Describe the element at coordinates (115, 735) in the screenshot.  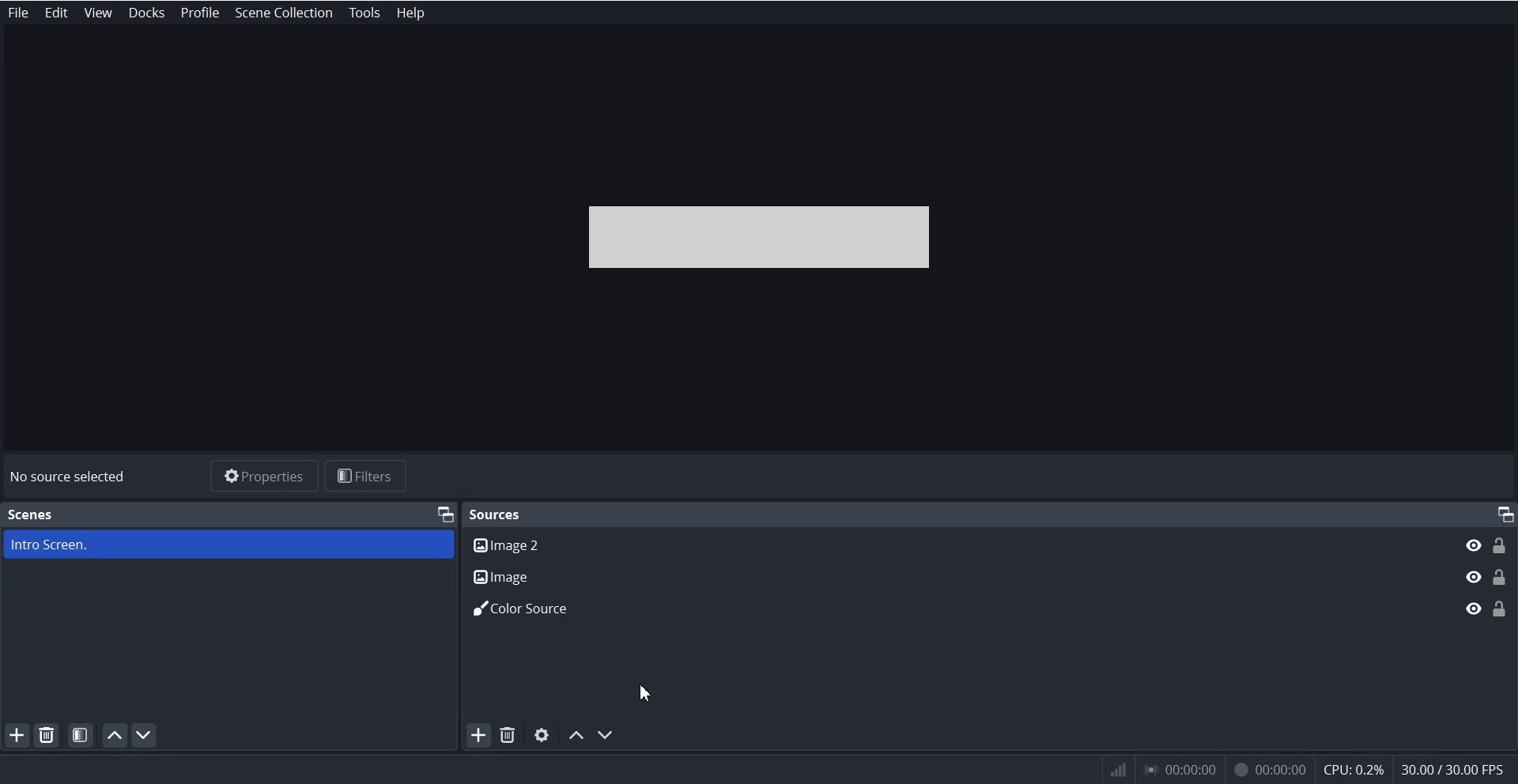
I see `Move Scene Up` at that location.